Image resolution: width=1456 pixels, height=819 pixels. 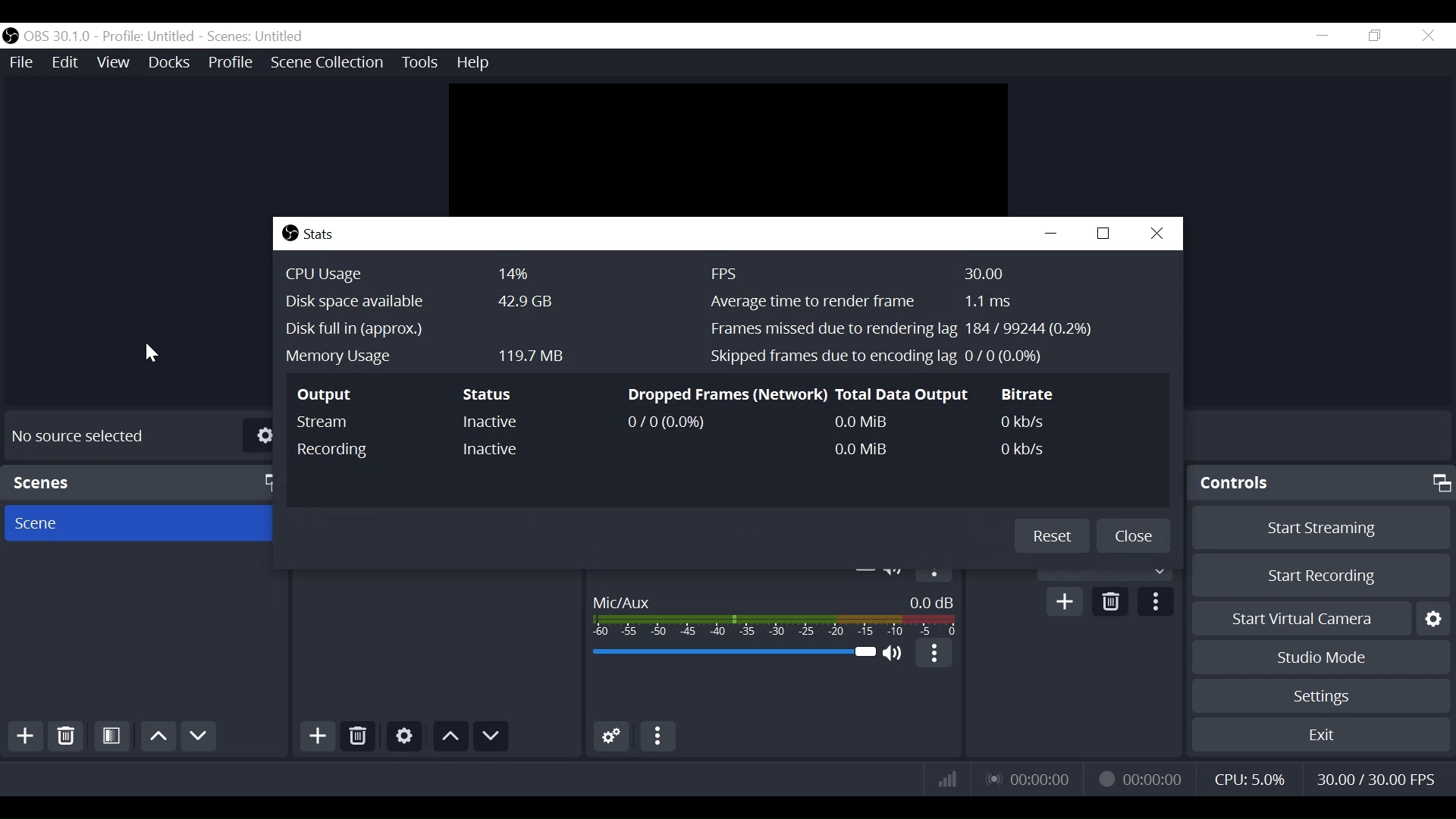 What do you see at coordinates (909, 357) in the screenshot?
I see `Skipped frames due to encoding lag` at bounding box center [909, 357].